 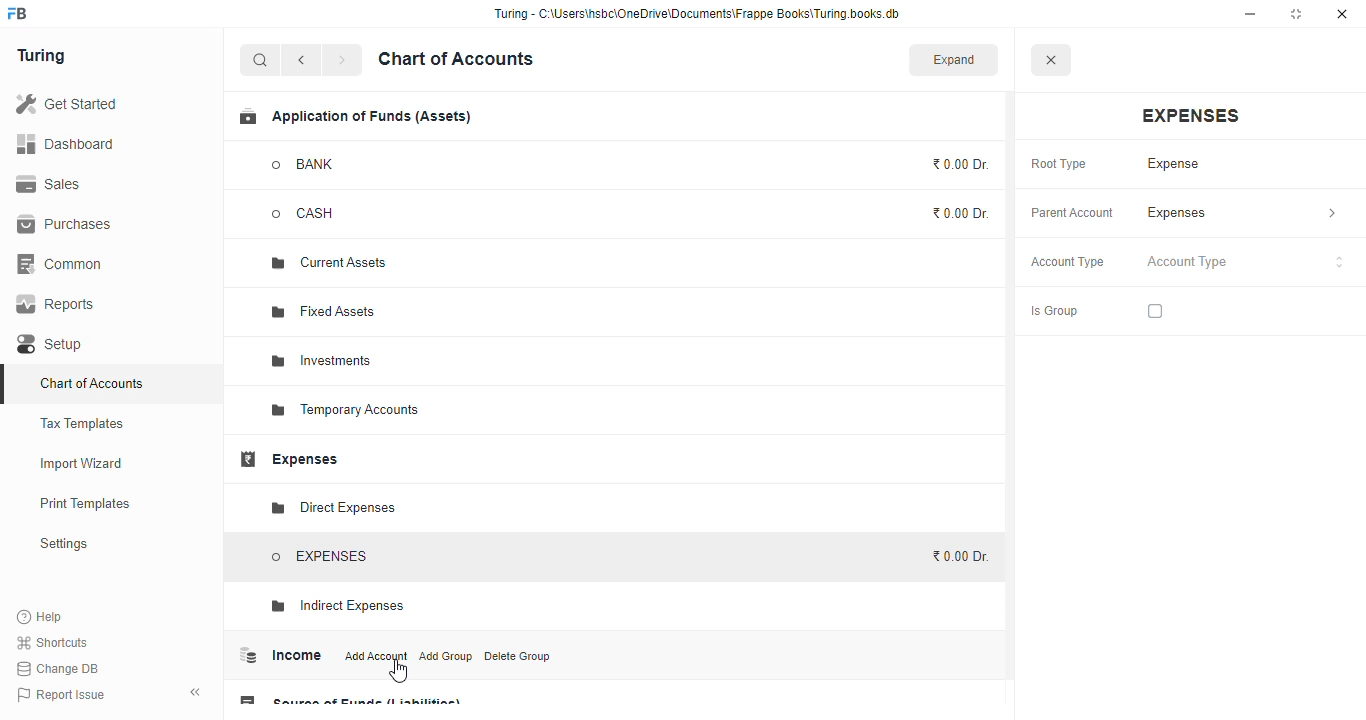 What do you see at coordinates (60, 694) in the screenshot?
I see `report issue` at bounding box center [60, 694].